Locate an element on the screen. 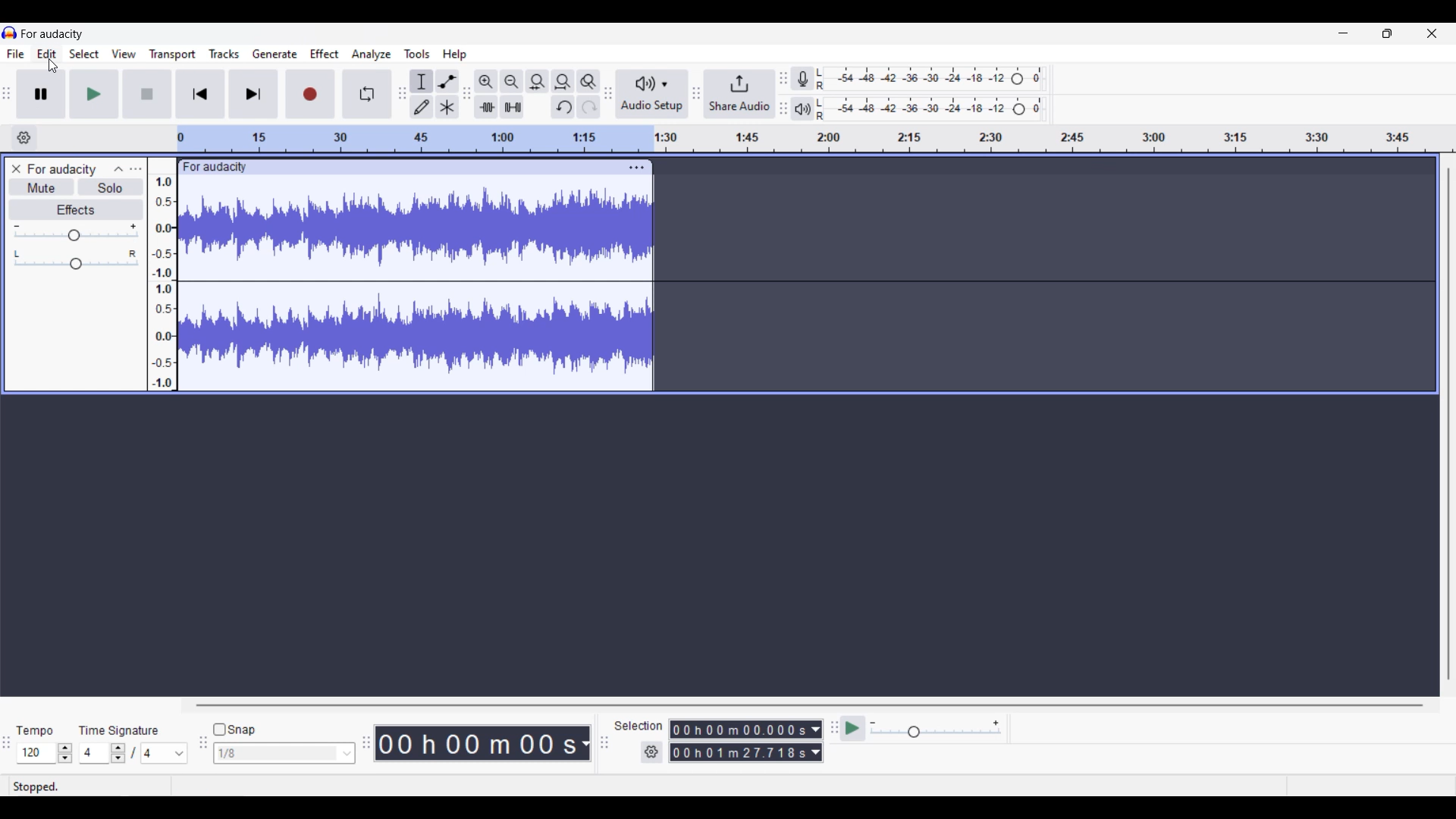 The height and width of the screenshot is (819, 1456). Horizontal slide bar is located at coordinates (809, 704).